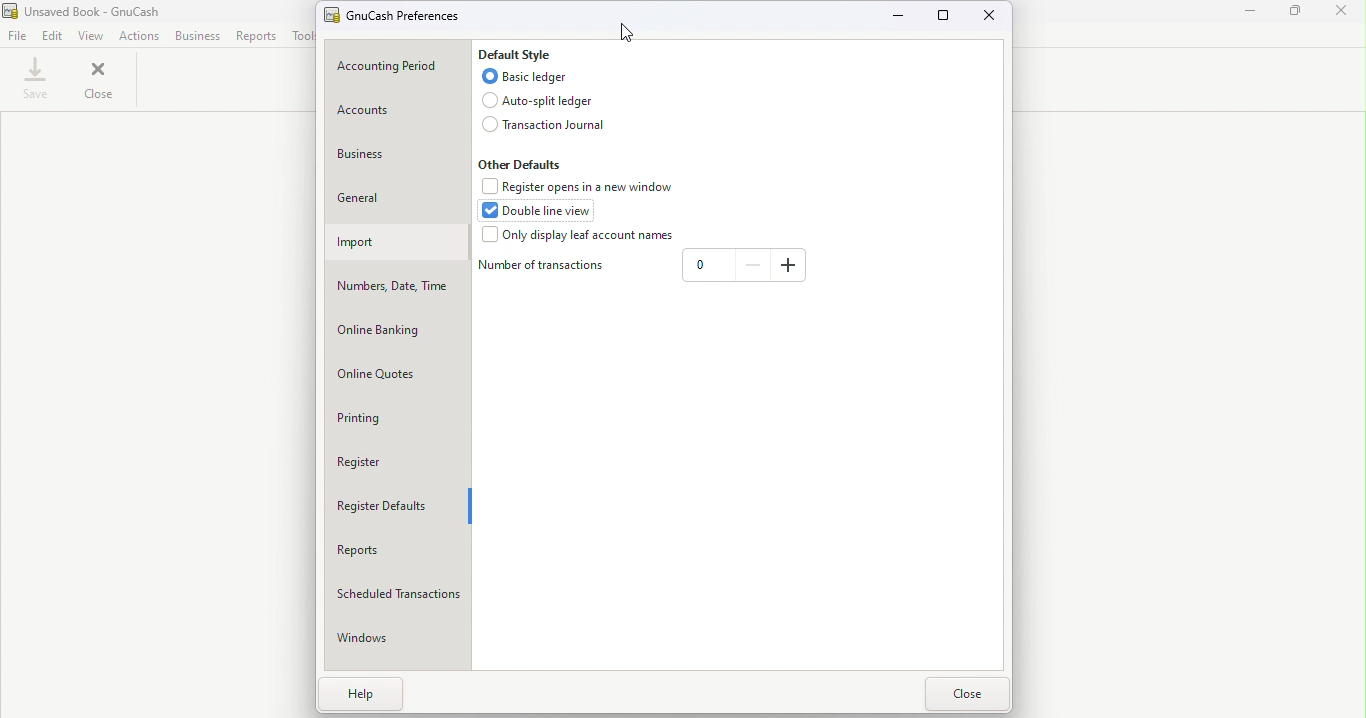 This screenshot has width=1366, height=718. What do you see at coordinates (397, 462) in the screenshot?
I see `Register` at bounding box center [397, 462].